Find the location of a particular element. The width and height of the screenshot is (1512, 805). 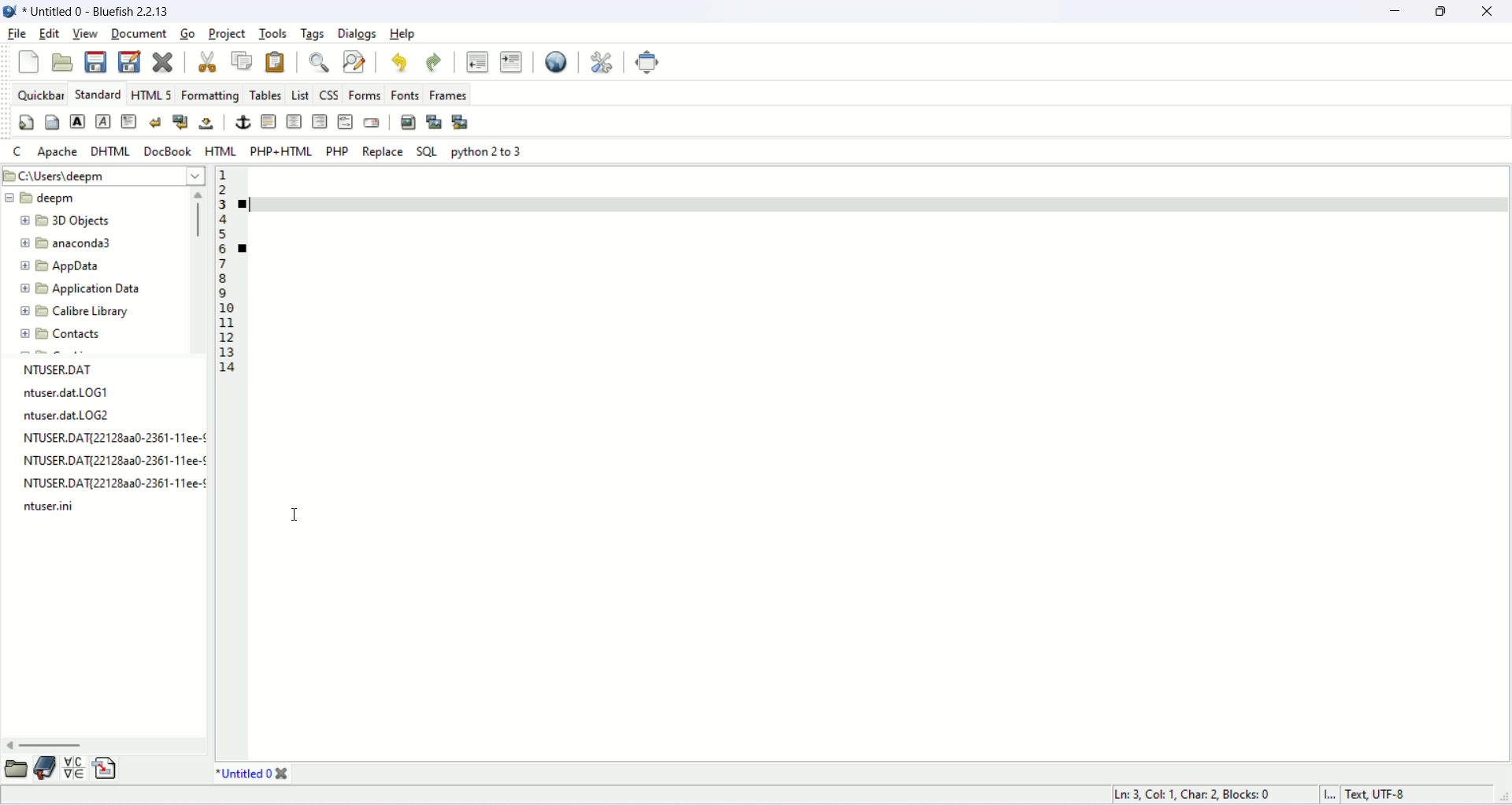

center is located at coordinates (295, 121).